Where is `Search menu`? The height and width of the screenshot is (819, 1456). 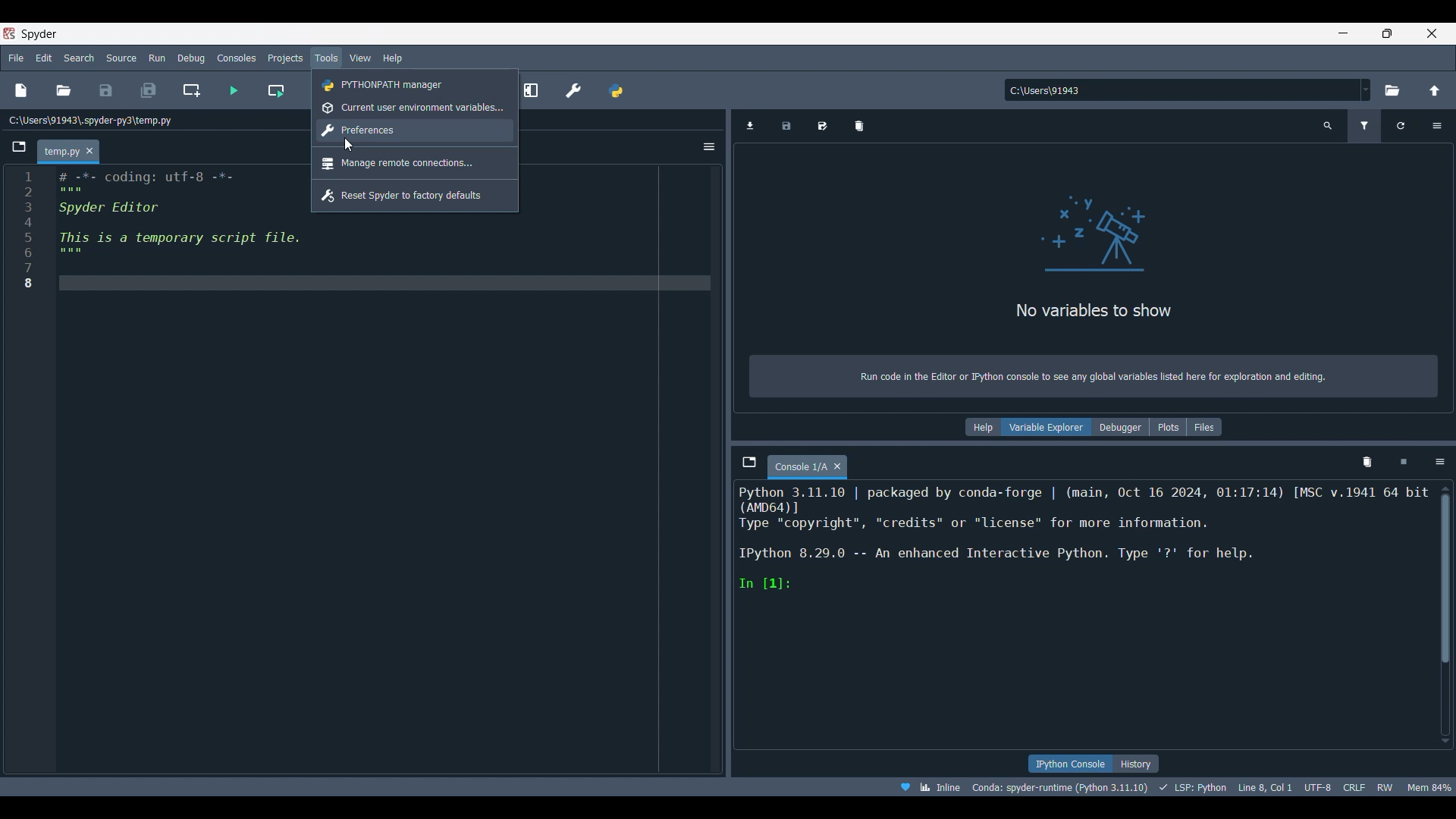
Search menu is located at coordinates (79, 58).